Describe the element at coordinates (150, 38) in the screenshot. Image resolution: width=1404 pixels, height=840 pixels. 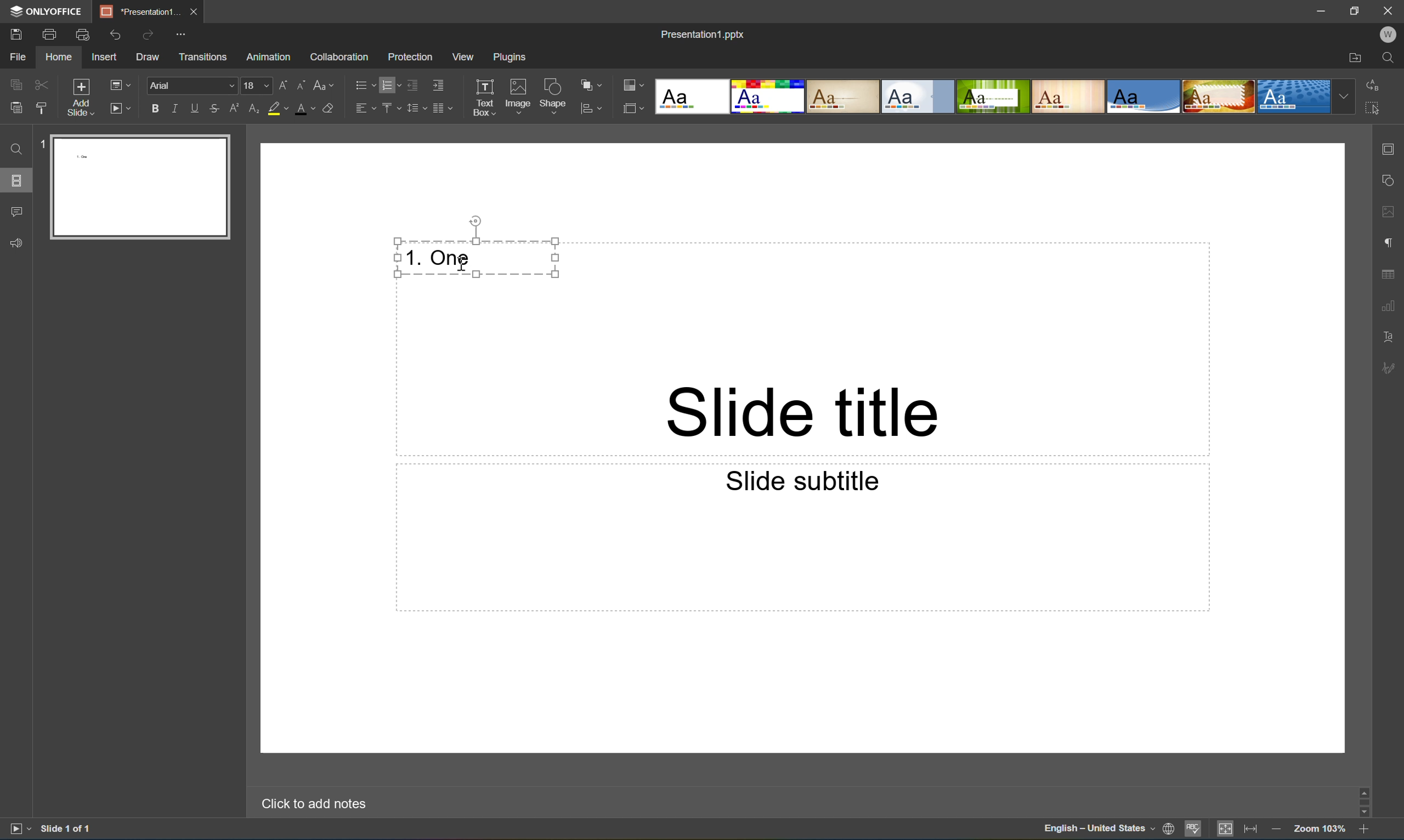
I see `Redo` at that location.